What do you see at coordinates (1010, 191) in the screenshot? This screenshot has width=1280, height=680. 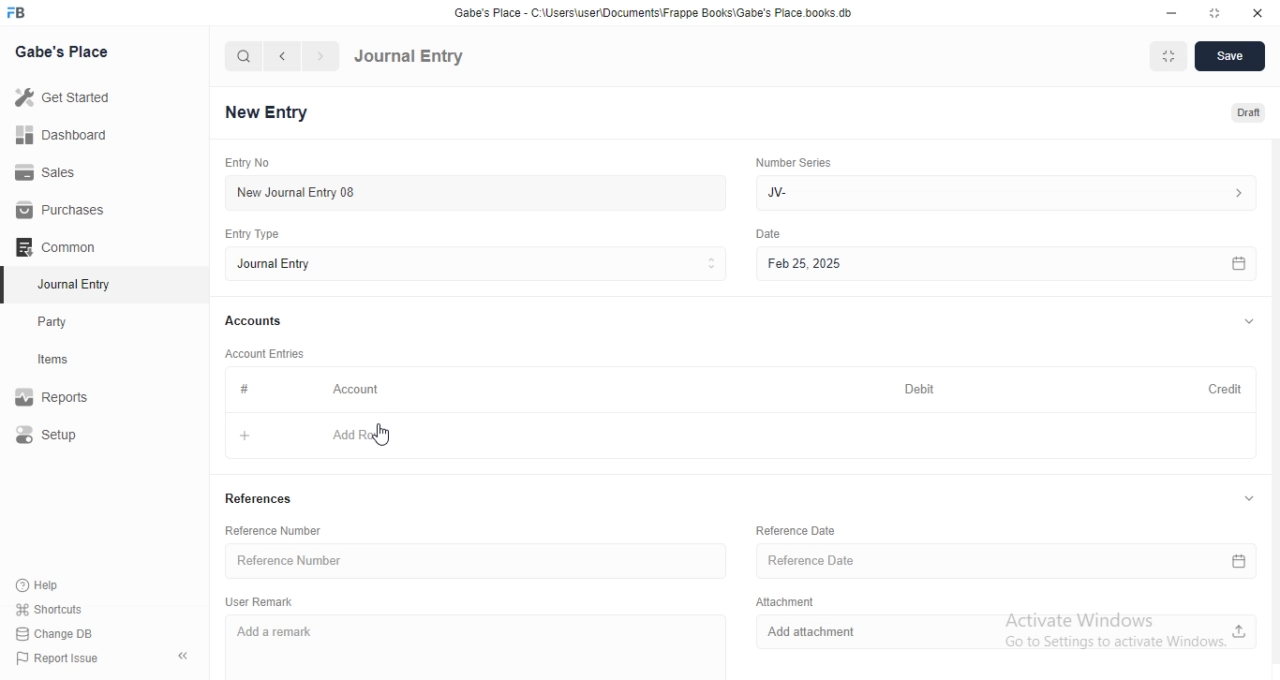 I see `Jv-` at bounding box center [1010, 191].